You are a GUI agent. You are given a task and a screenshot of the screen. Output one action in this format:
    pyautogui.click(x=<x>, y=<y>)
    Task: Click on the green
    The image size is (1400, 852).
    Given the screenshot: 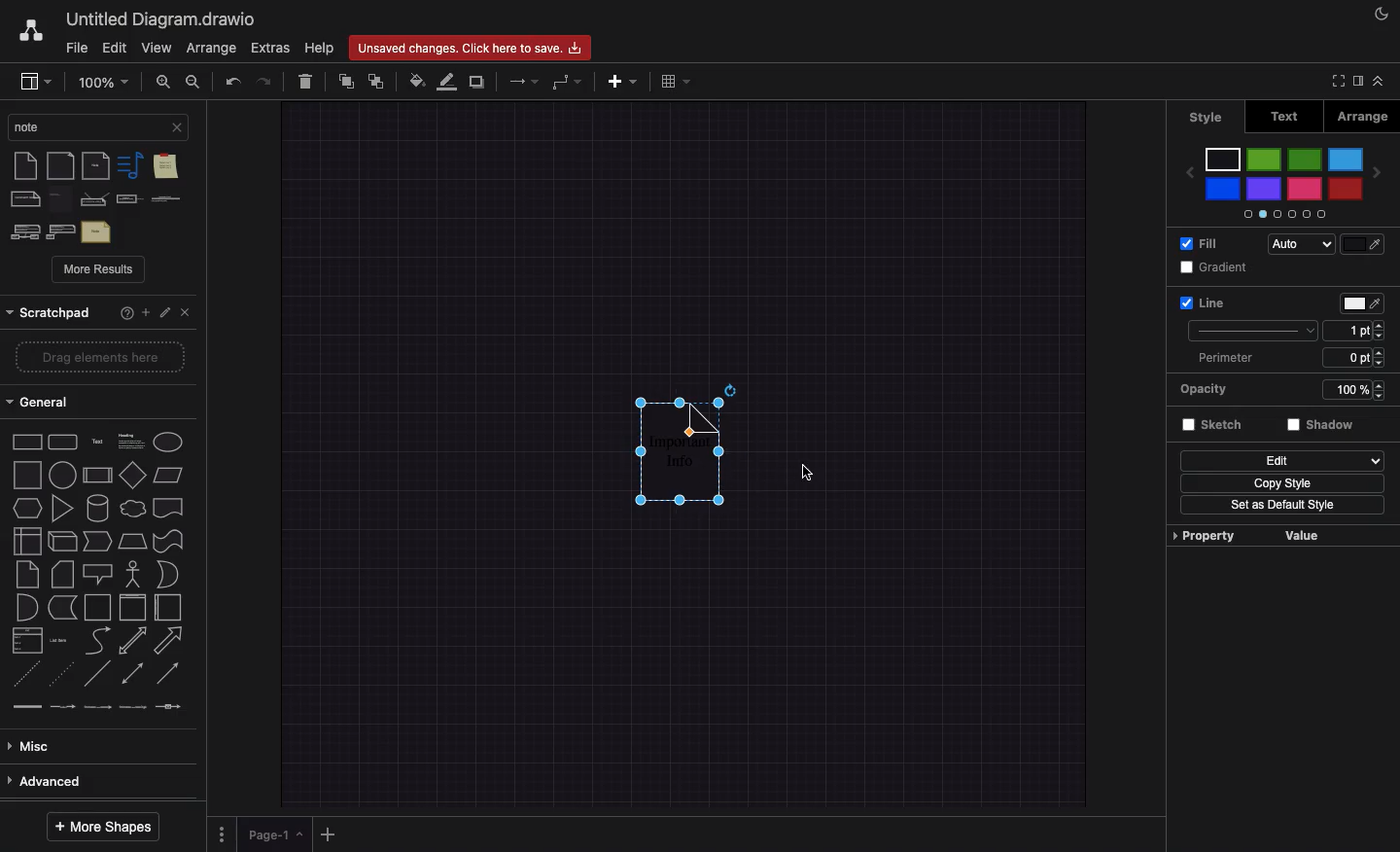 What is the action you would take?
    pyautogui.click(x=1264, y=161)
    